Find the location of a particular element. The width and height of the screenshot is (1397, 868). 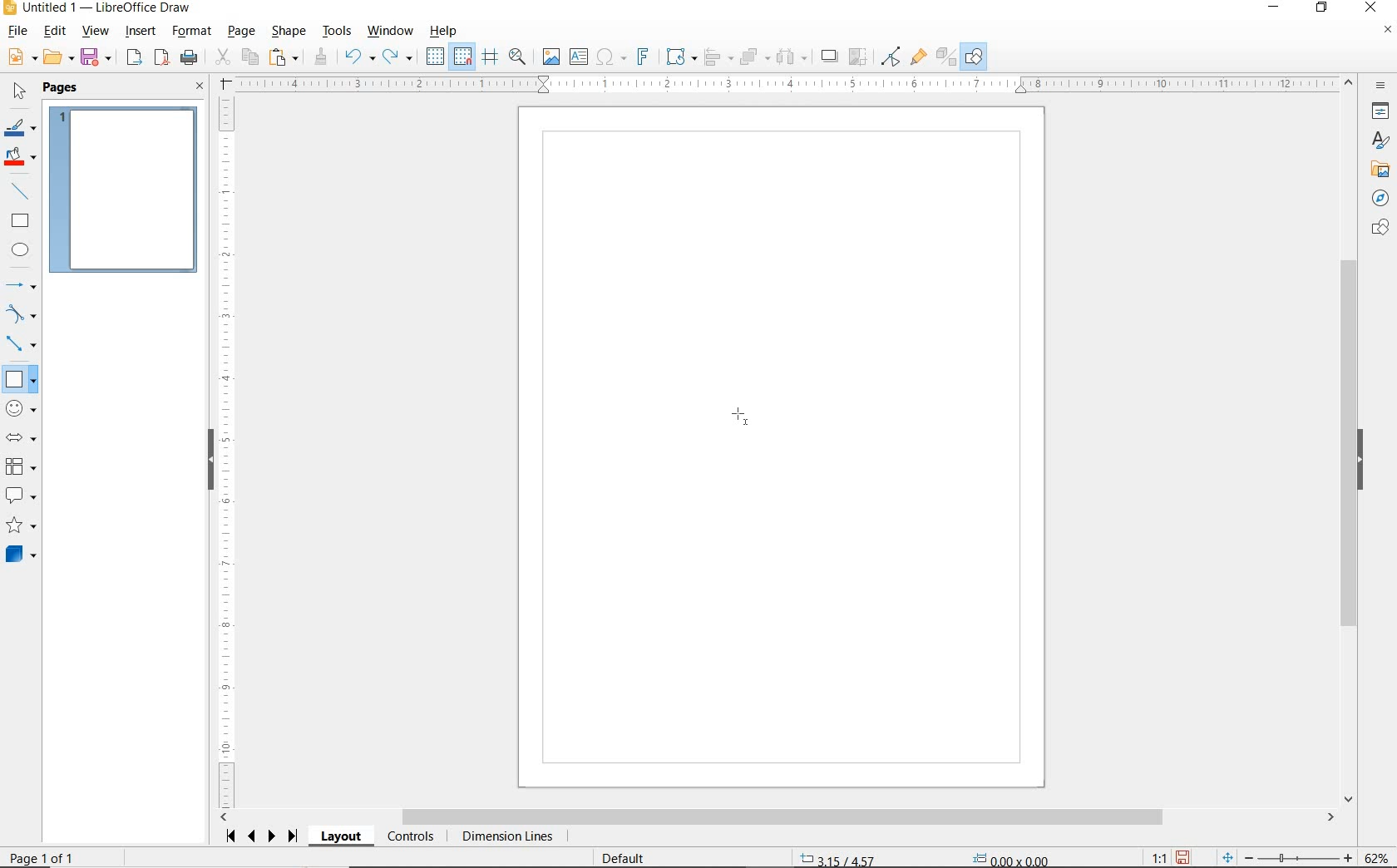

COPY is located at coordinates (249, 57).